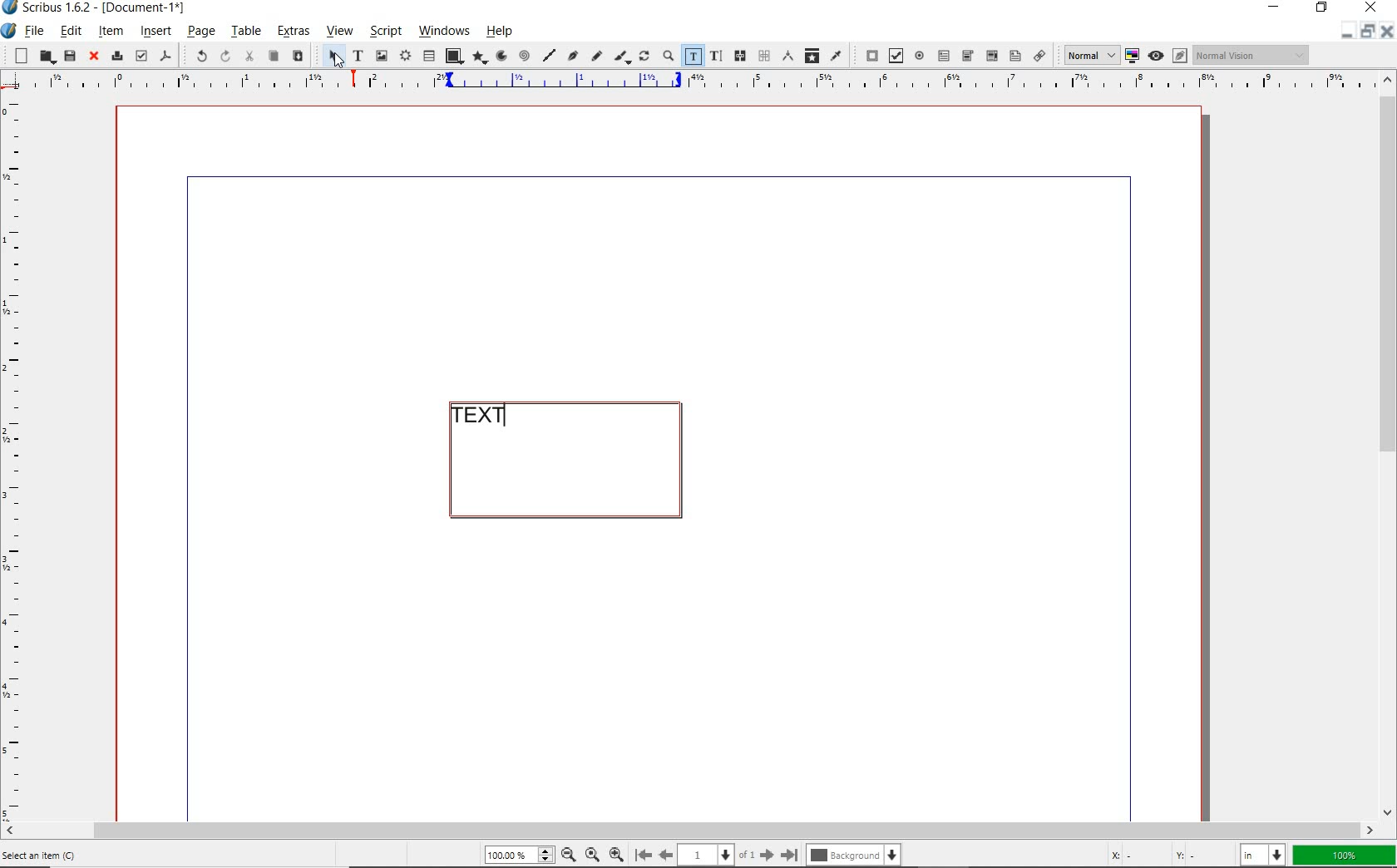 This screenshot has height=868, width=1397. Describe the element at coordinates (249, 56) in the screenshot. I see `cut` at that location.